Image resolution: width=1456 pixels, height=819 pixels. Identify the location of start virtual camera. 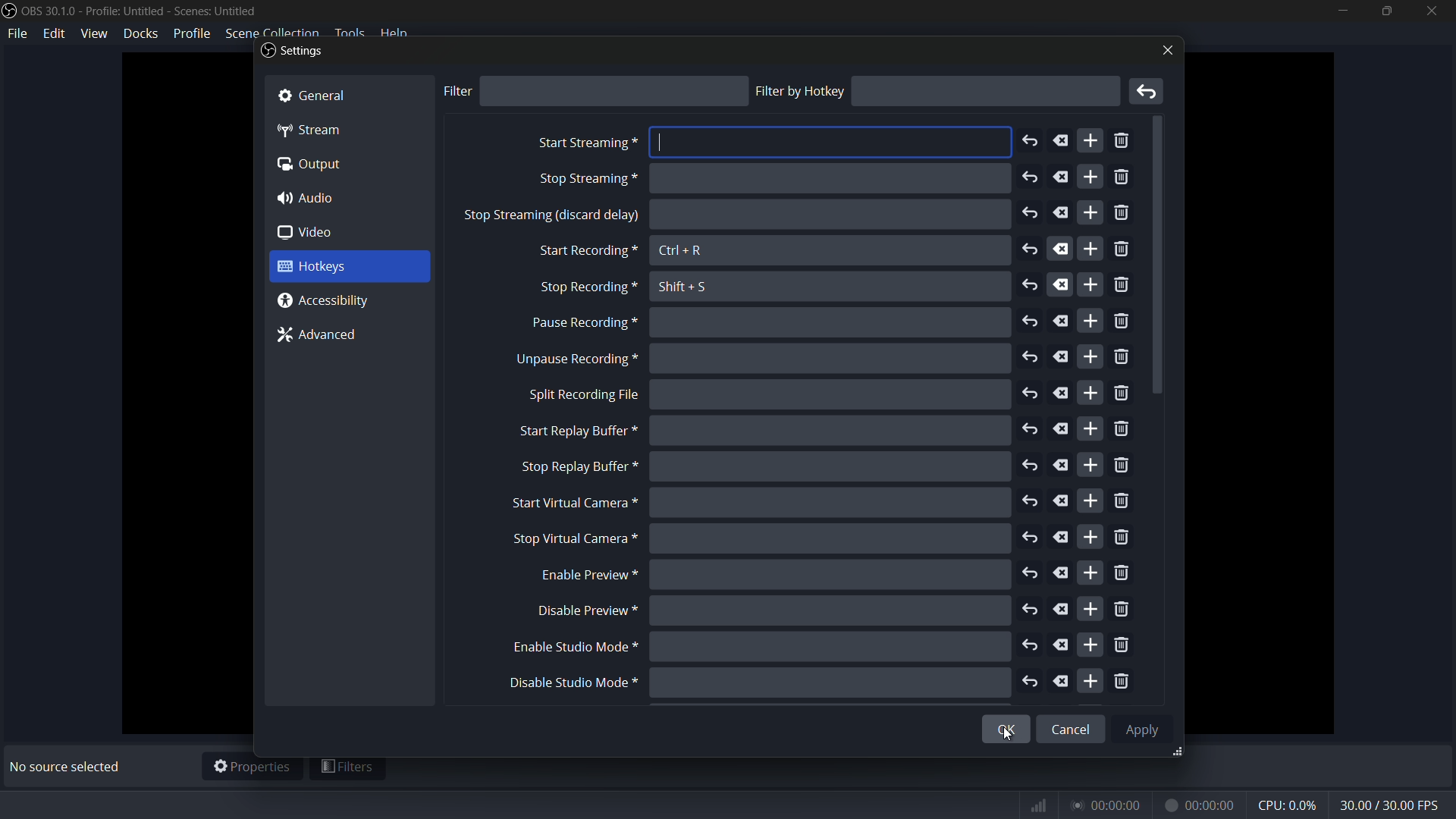
(570, 504).